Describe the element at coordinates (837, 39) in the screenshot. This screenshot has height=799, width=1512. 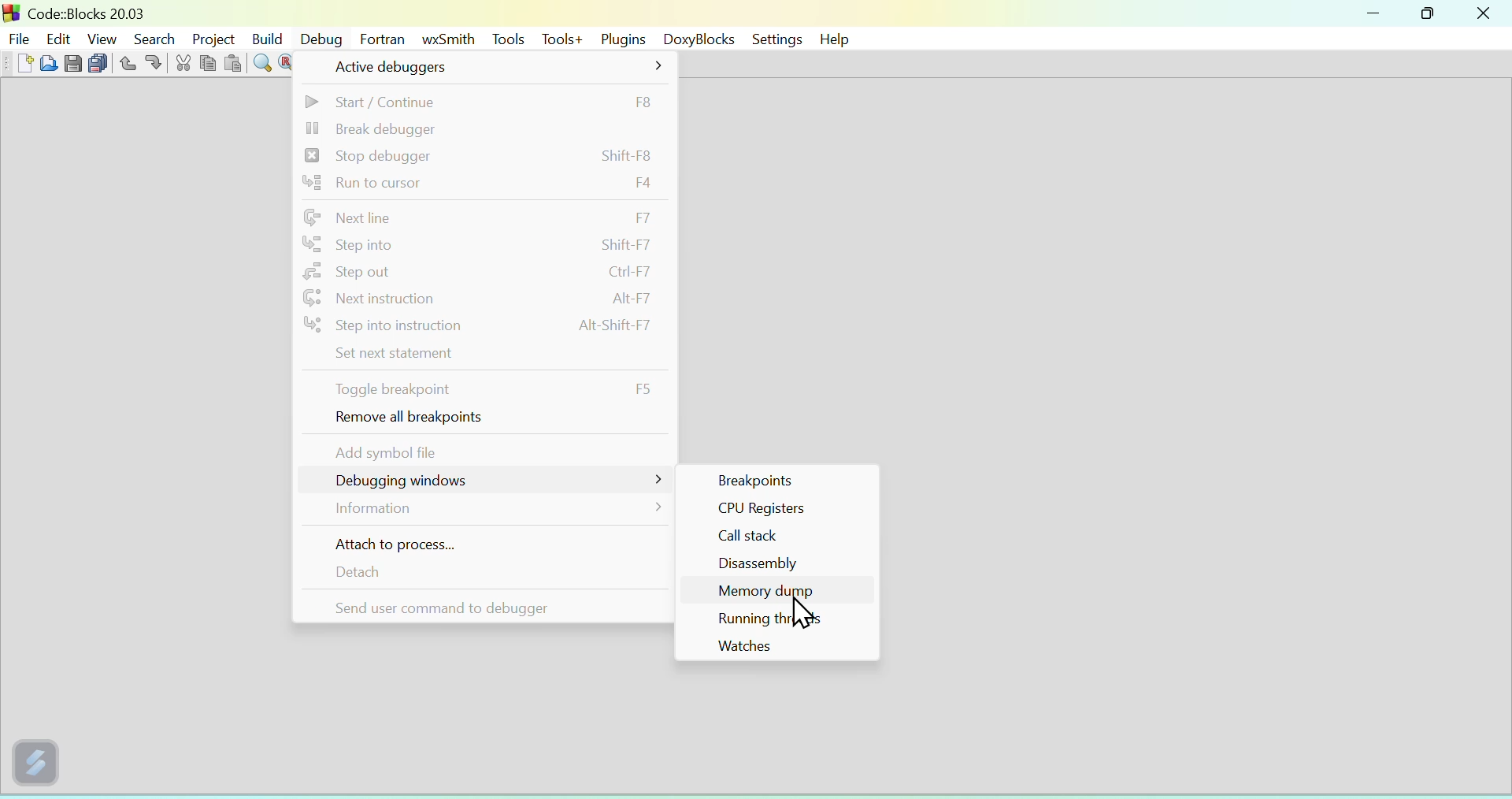
I see `help` at that location.